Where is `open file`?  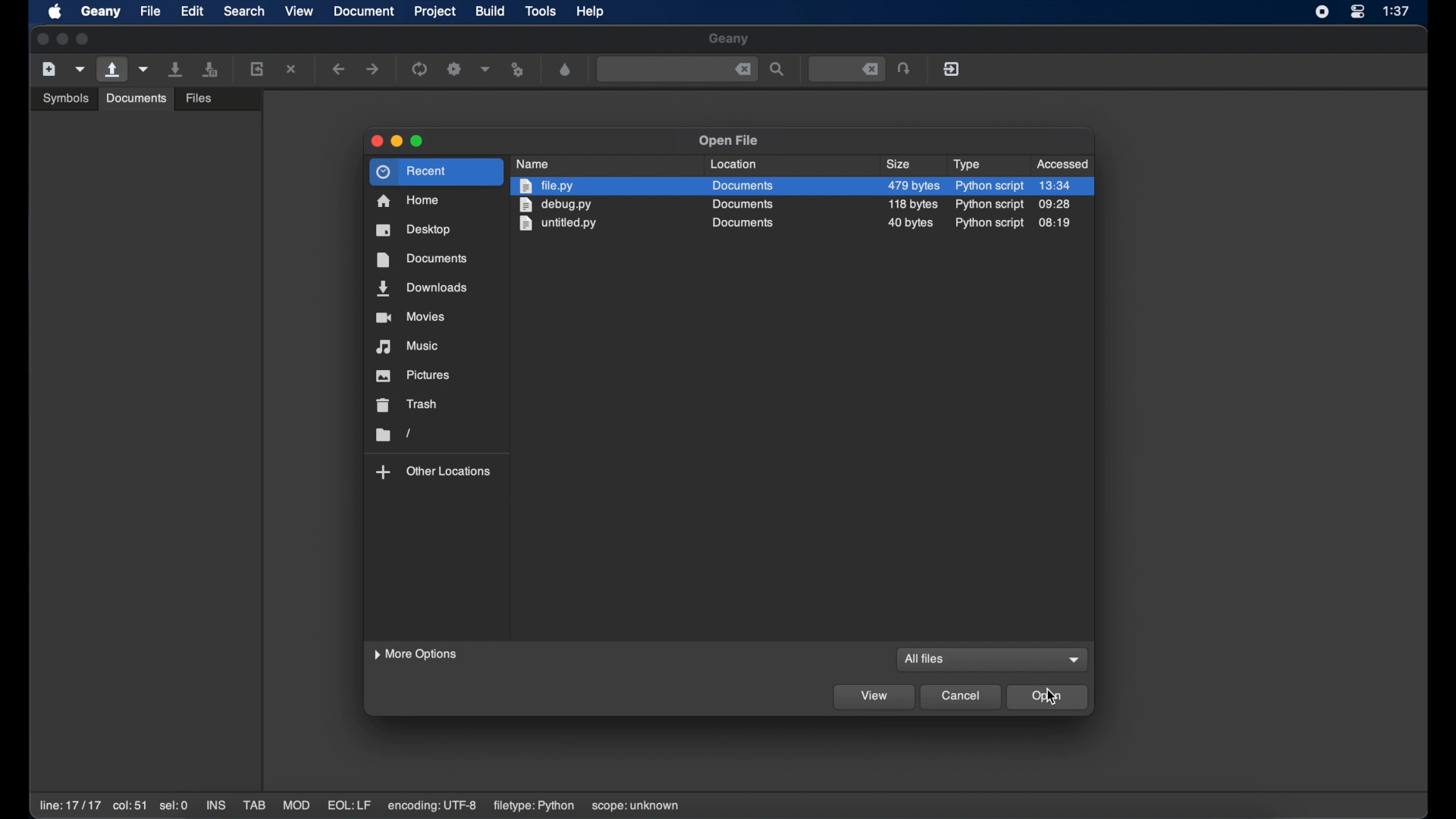
open file is located at coordinates (111, 70).